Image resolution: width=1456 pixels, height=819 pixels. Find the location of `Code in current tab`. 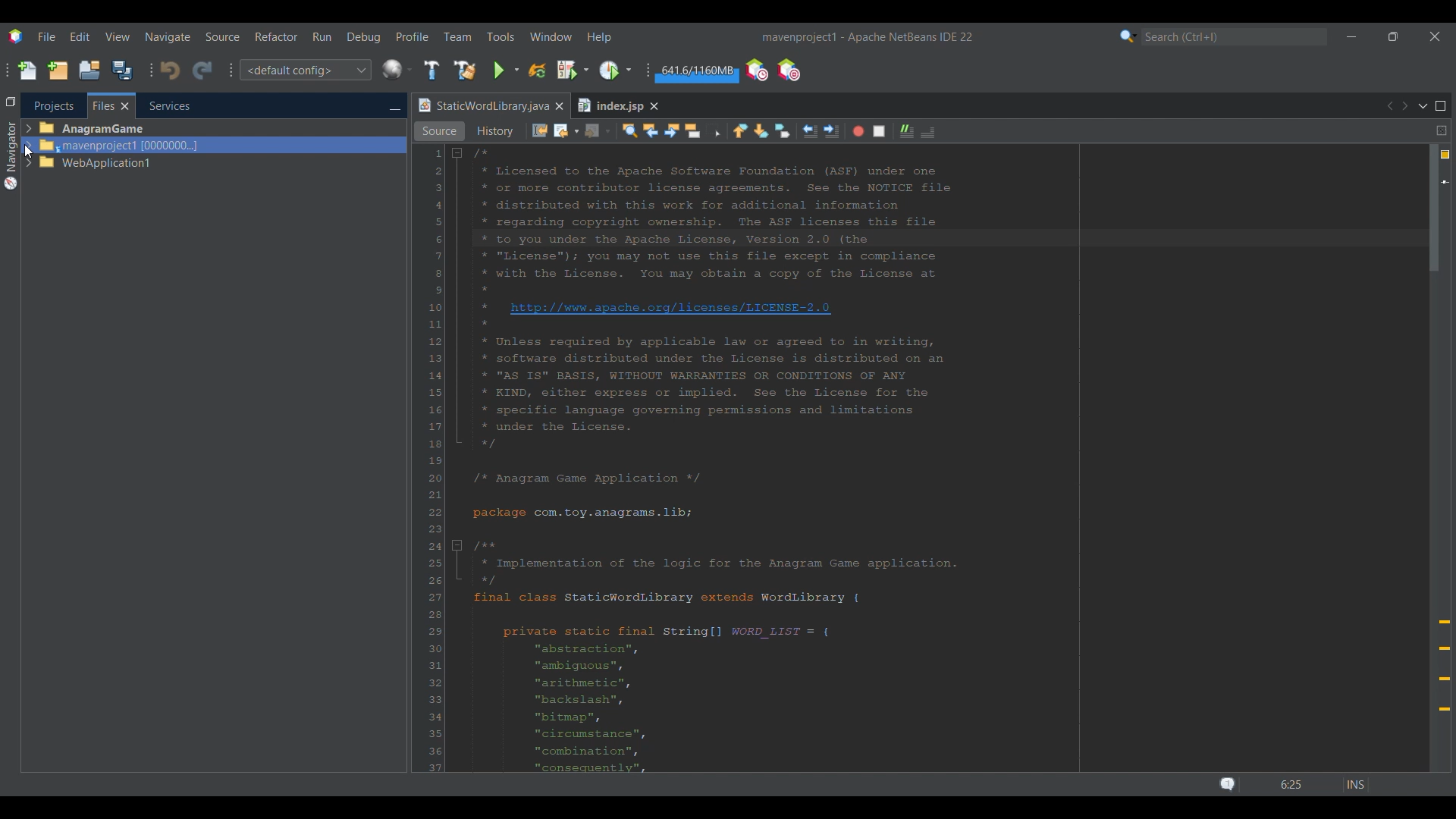

Code in current tab is located at coordinates (924, 460).